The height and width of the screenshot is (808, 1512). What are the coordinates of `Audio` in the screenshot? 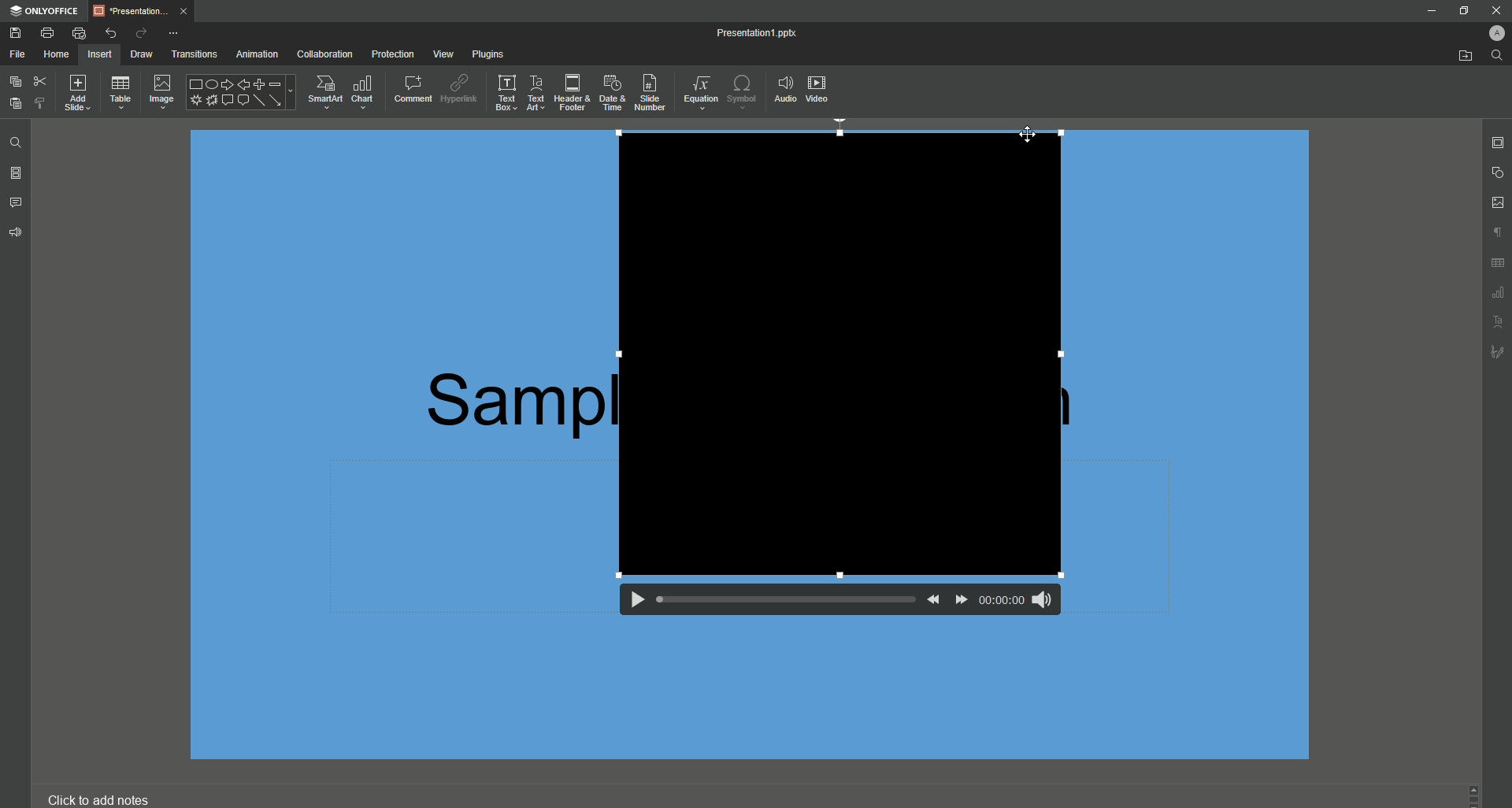 It's located at (784, 88).